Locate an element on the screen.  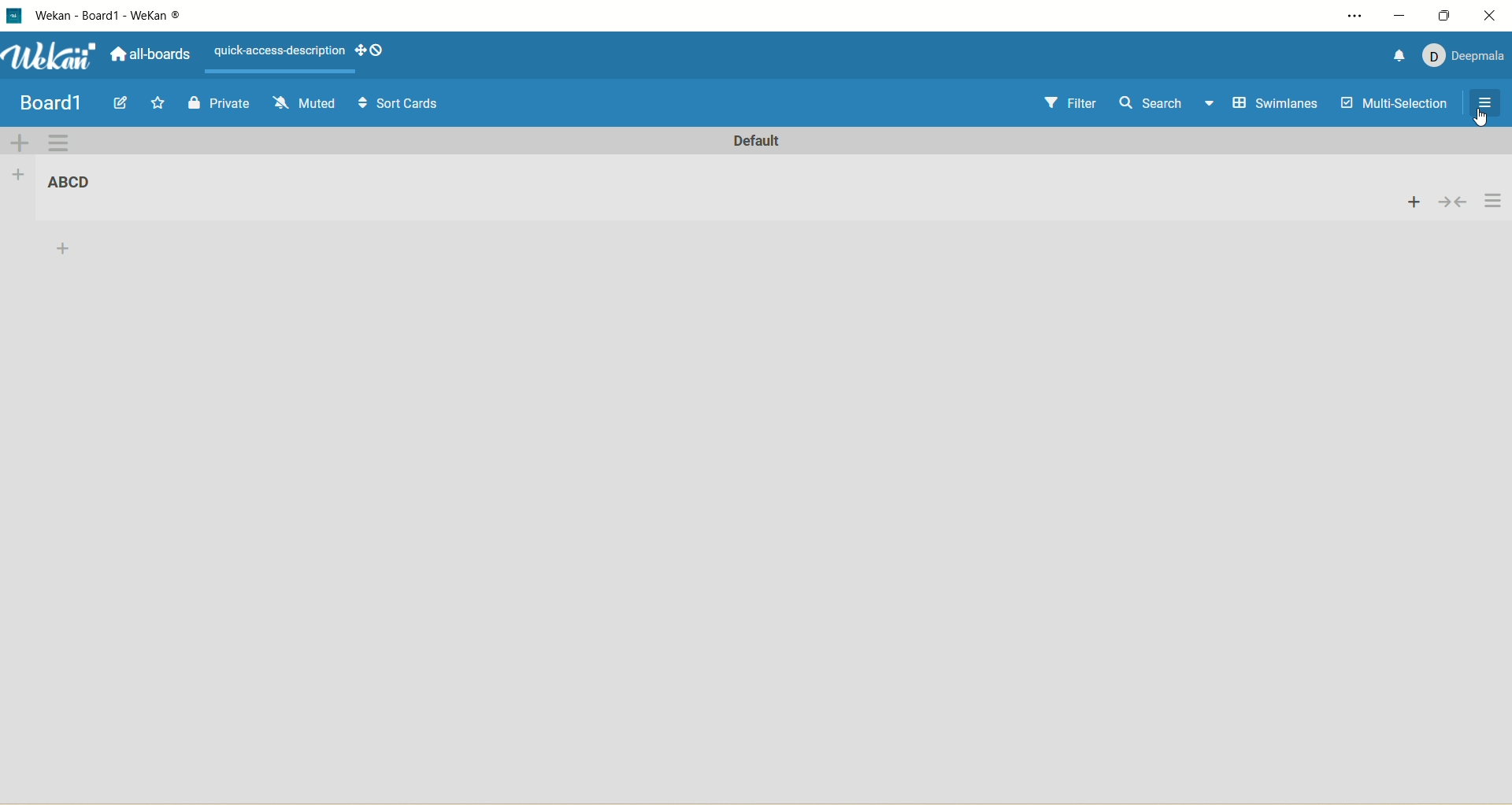
add swimlane is located at coordinates (20, 142).